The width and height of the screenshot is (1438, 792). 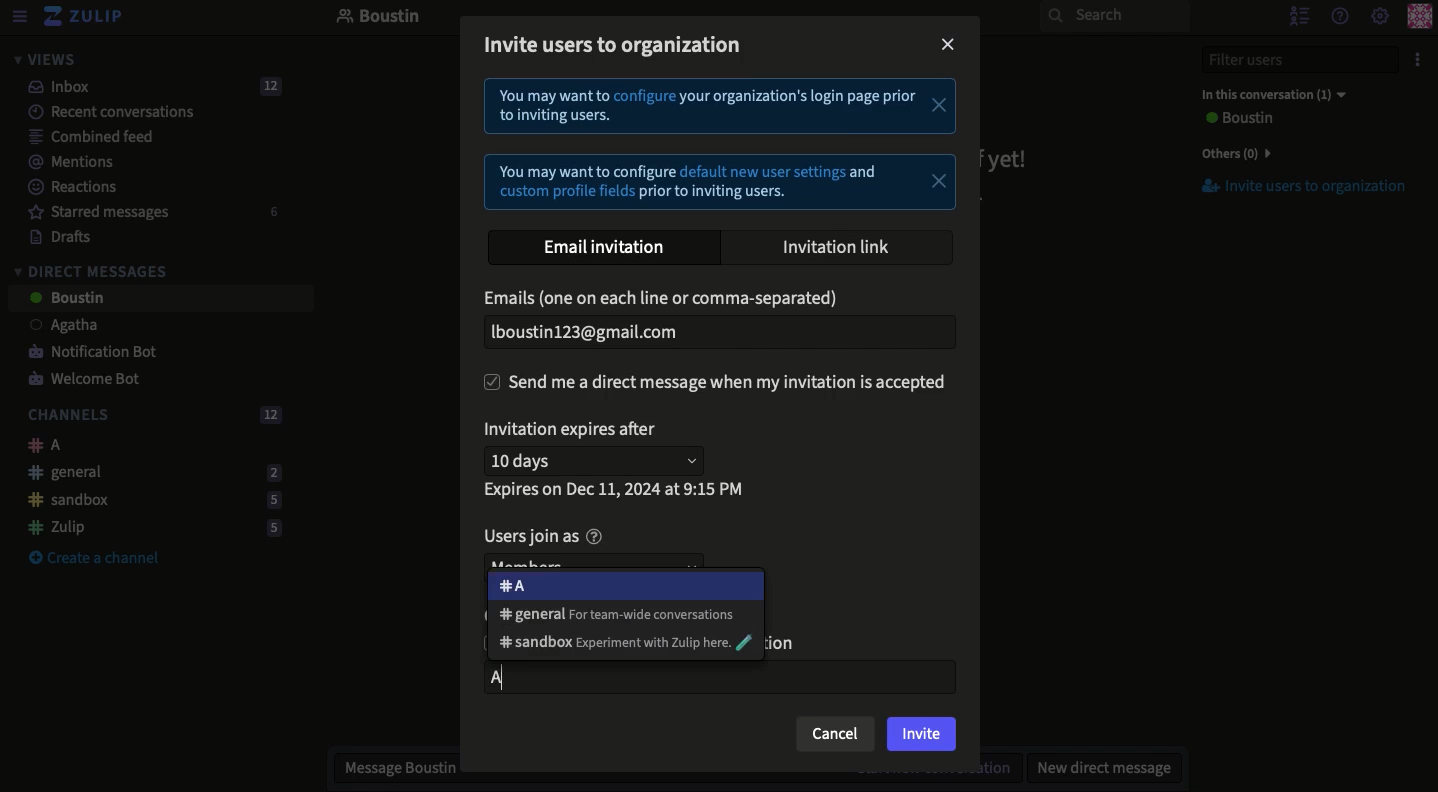 What do you see at coordinates (542, 536) in the screenshot?
I see `Users join as` at bounding box center [542, 536].